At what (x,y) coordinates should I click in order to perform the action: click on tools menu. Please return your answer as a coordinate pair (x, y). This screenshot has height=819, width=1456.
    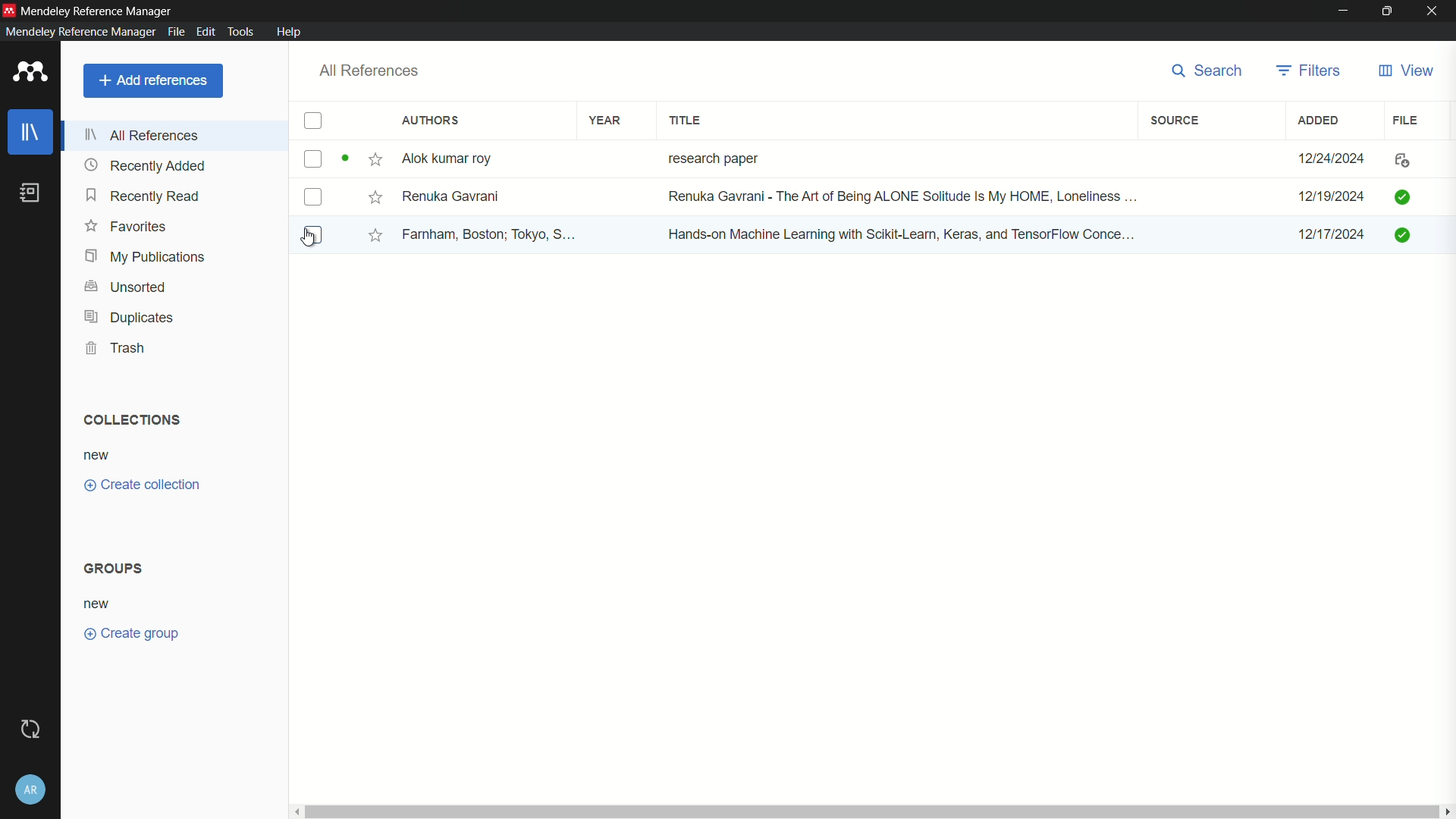
    Looking at the image, I should click on (242, 32).